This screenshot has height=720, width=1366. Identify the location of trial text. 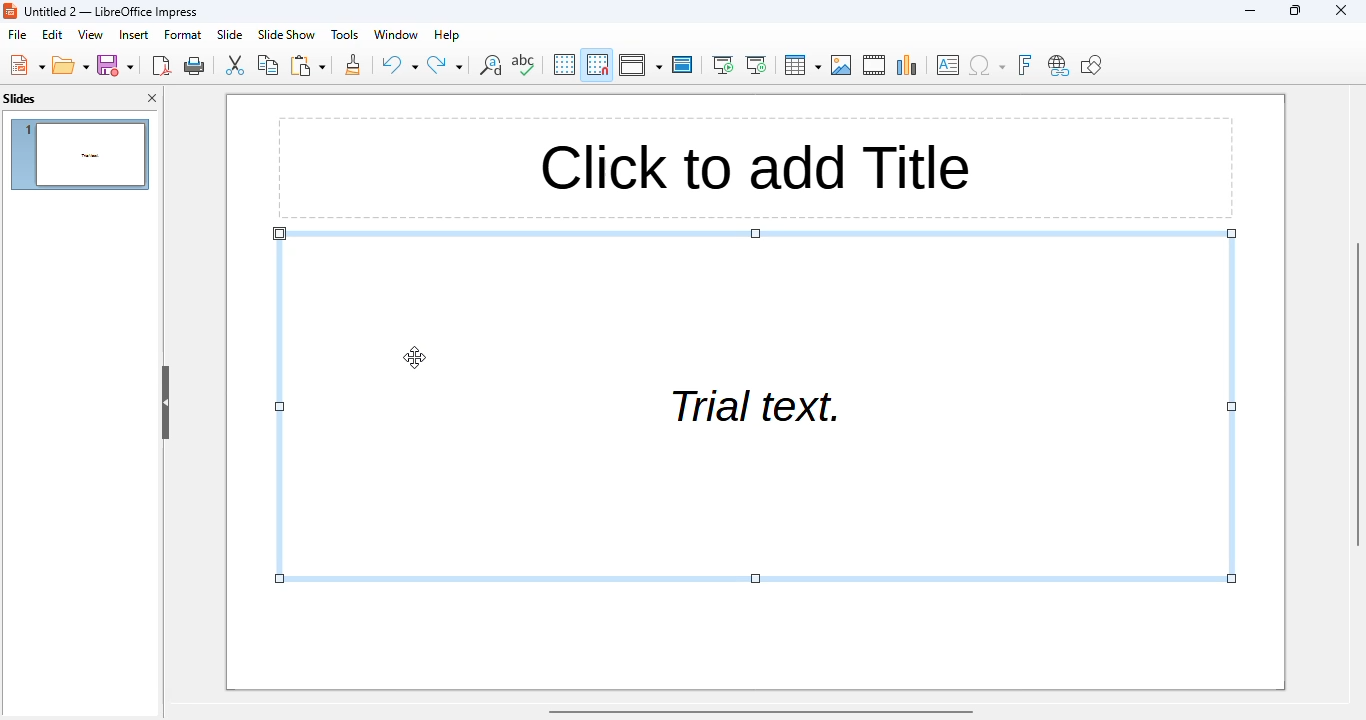
(756, 408).